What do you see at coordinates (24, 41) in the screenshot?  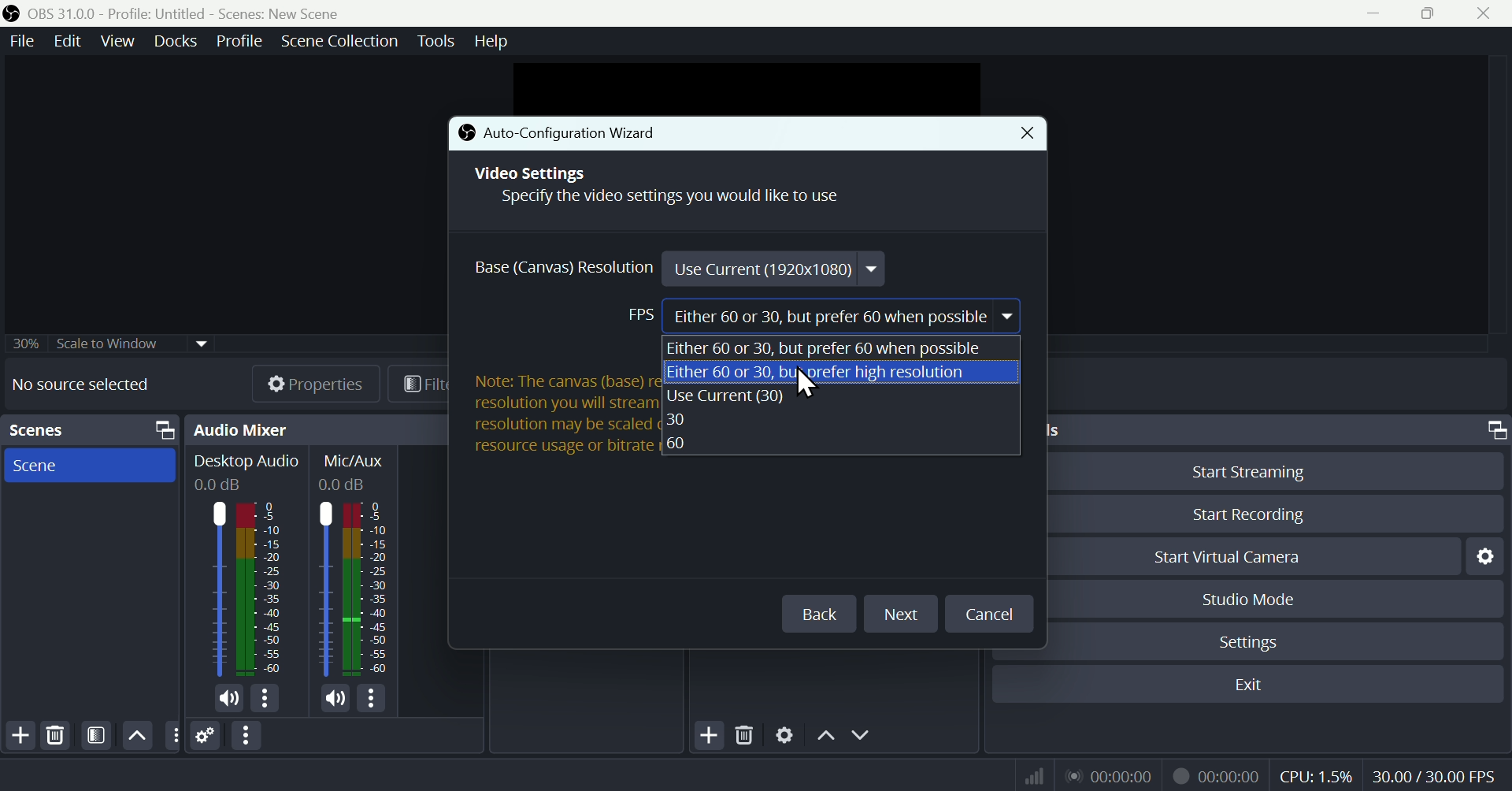 I see `File` at bounding box center [24, 41].